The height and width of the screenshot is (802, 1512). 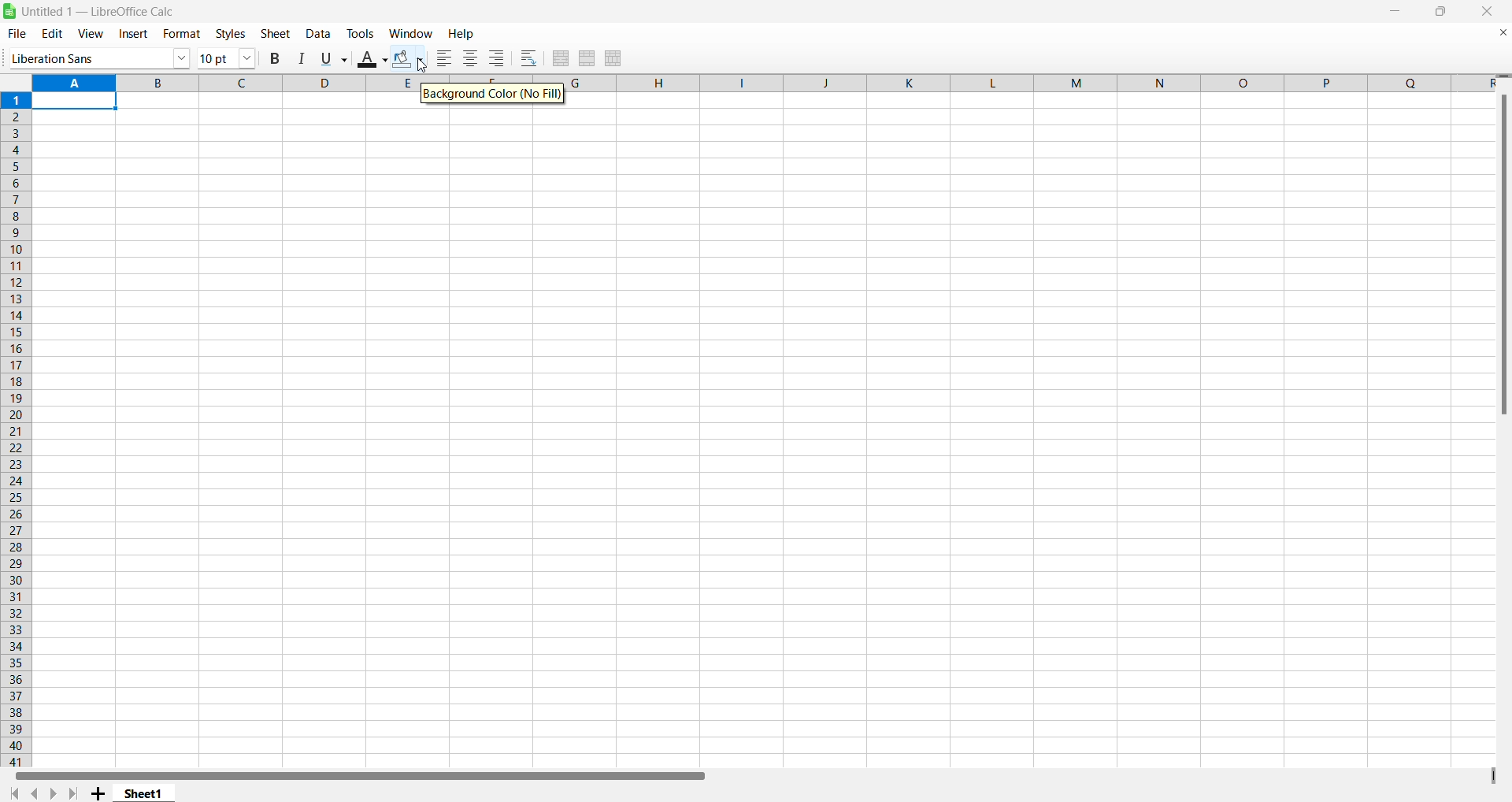 What do you see at coordinates (613, 60) in the screenshot?
I see `unmerge` at bounding box center [613, 60].